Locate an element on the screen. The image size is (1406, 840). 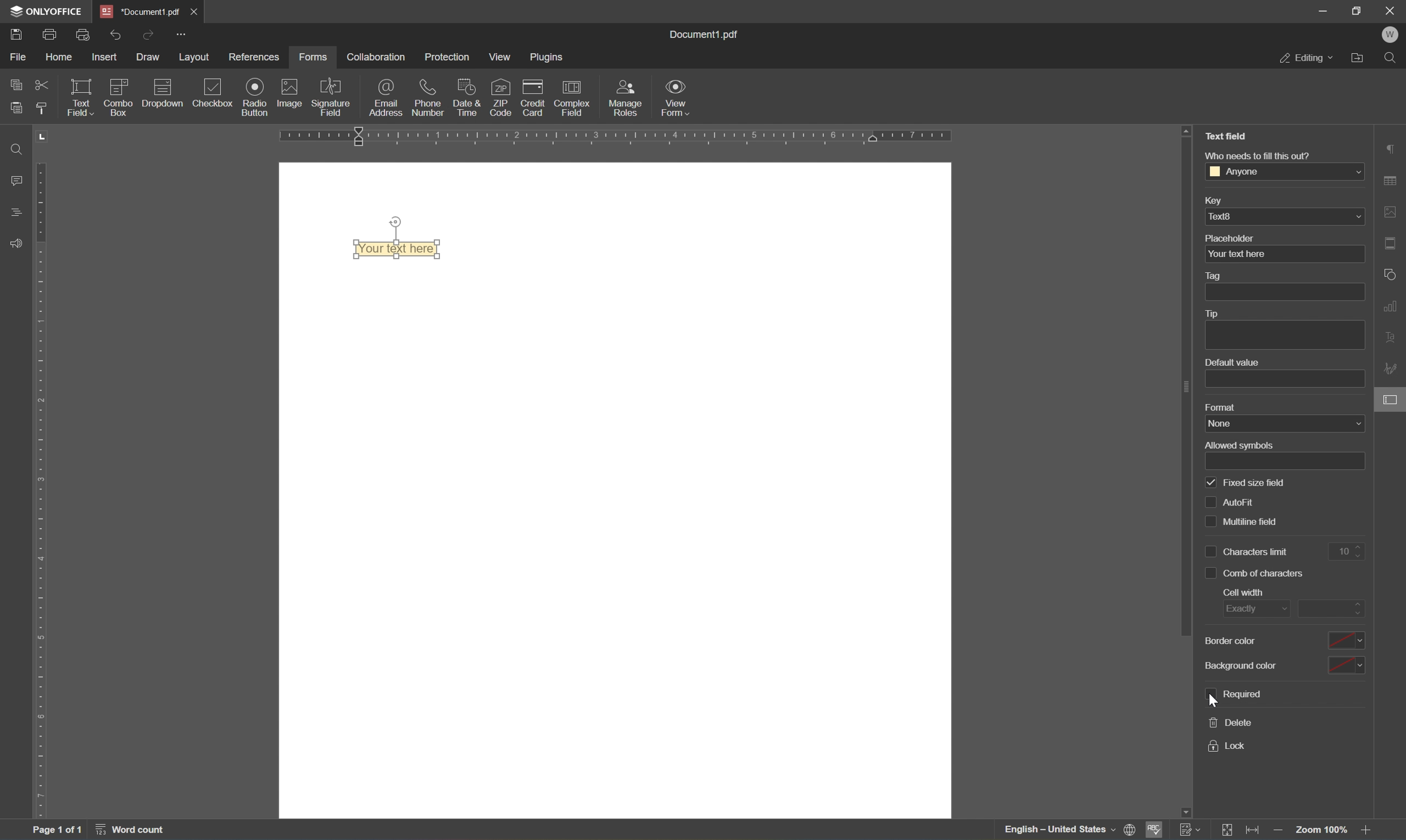
10 is located at coordinates (1347, 551).